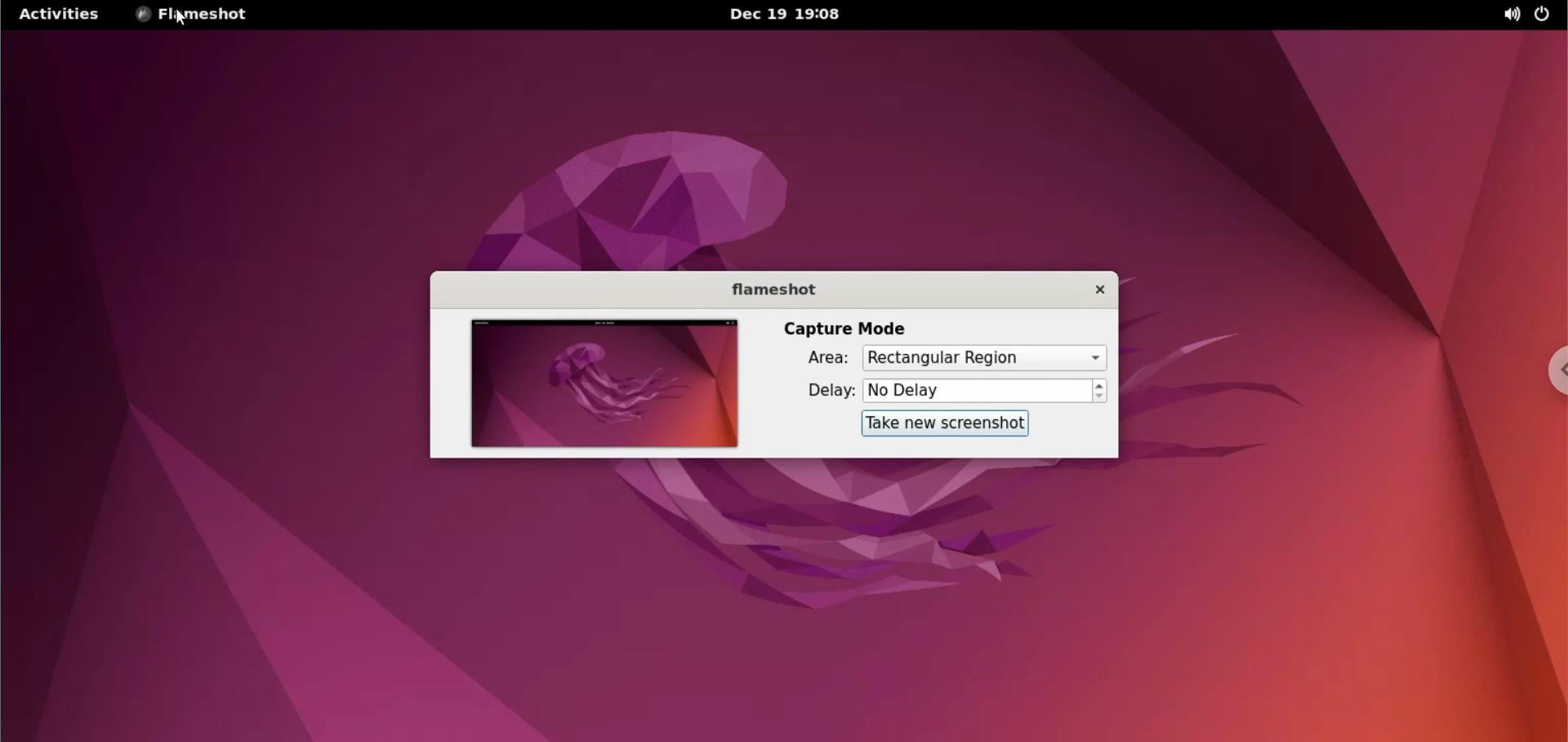 The height and width of the screenshot is (742, 1568). I want to click on No Delay, so click(976, 392).